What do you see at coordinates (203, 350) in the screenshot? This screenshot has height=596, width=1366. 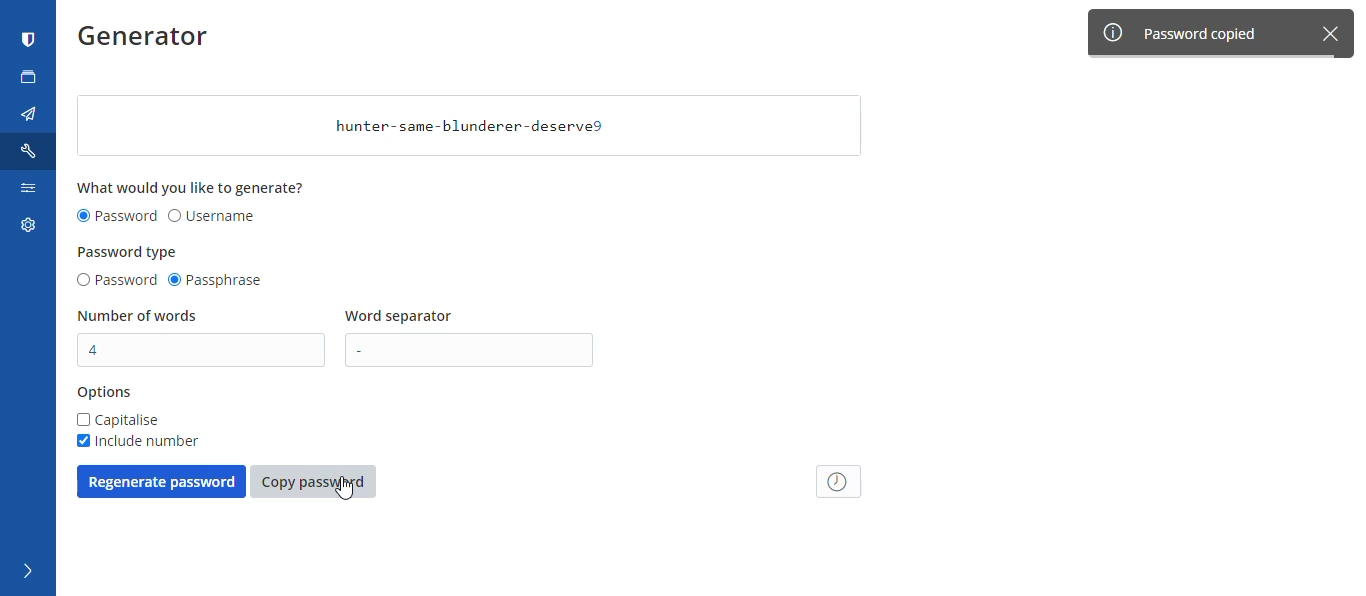 I see `number of words textbox` at bounding box center [203, 350].